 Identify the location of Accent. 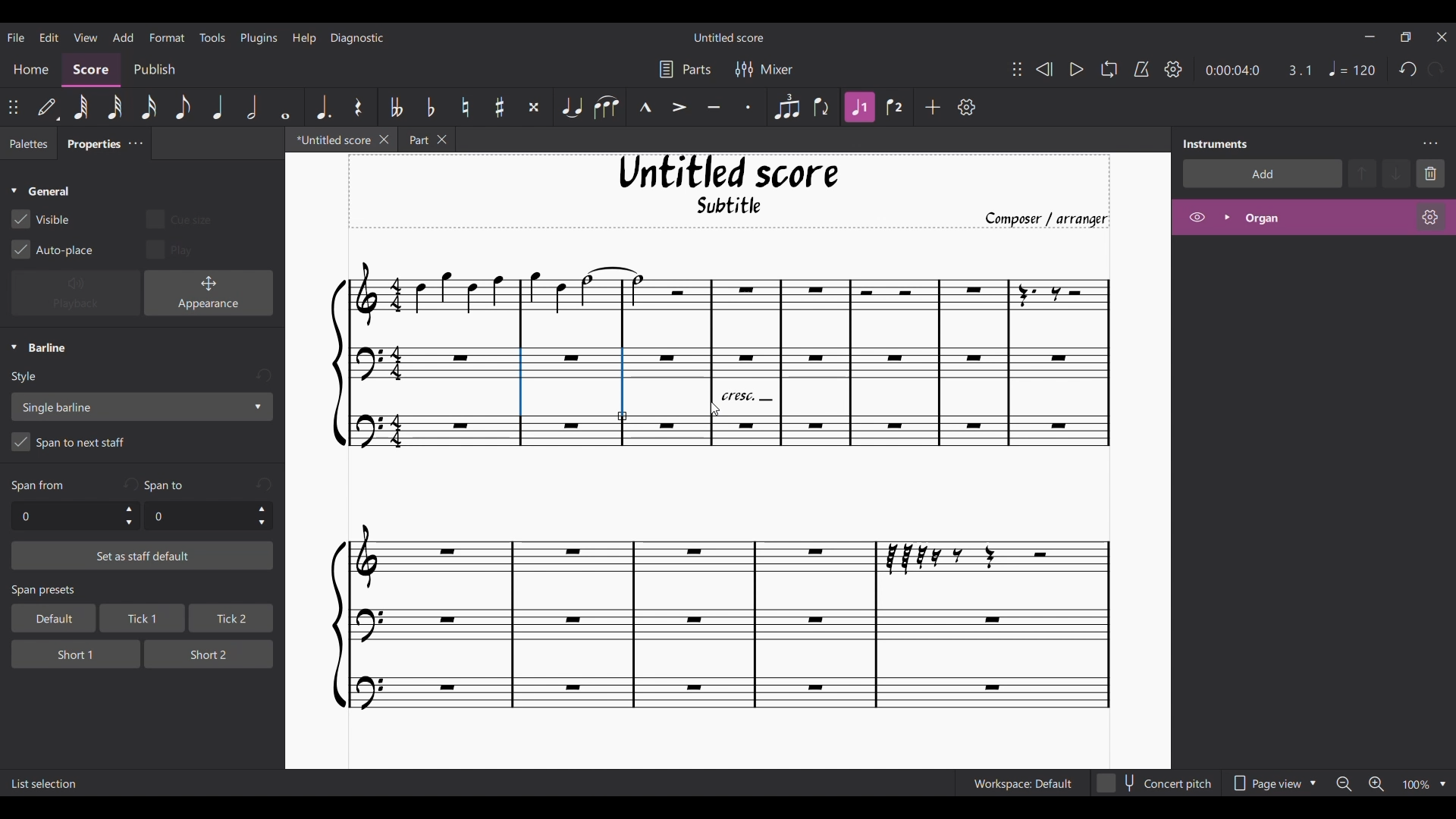
(679, 108).